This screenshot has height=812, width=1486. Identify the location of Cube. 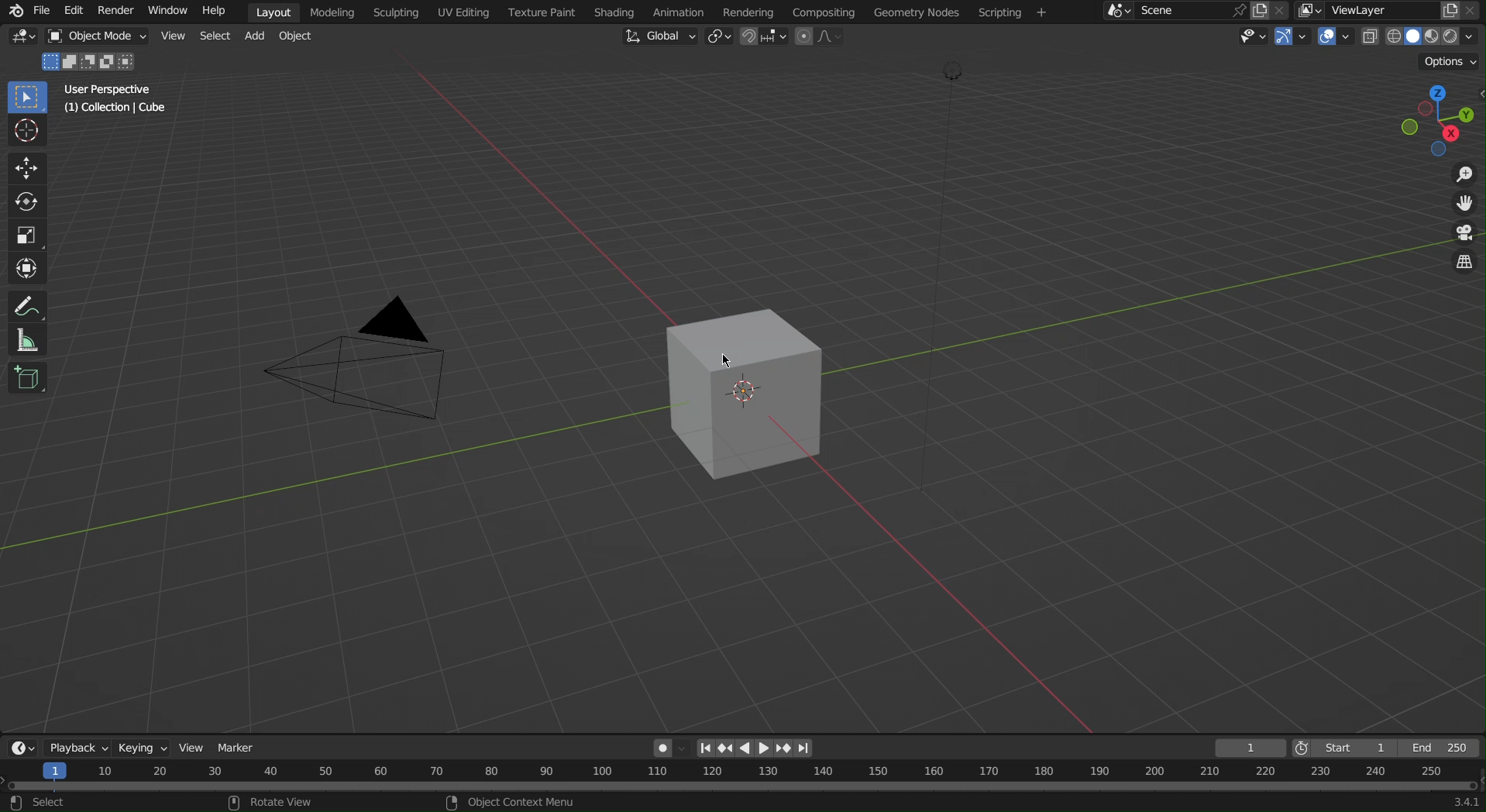
(29, 377).